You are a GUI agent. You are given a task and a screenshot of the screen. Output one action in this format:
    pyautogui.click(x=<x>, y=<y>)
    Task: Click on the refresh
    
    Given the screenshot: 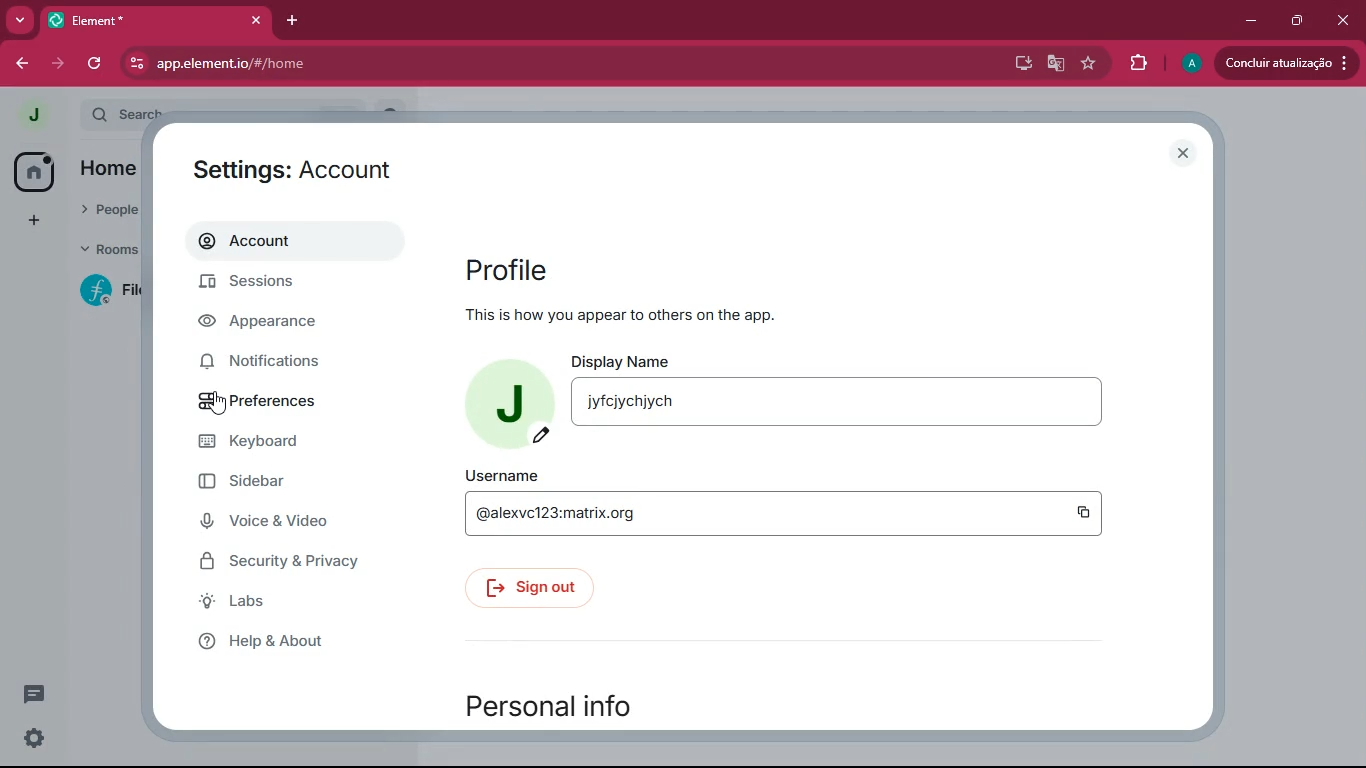 What is the action you would take?
    pyautogui.click(x=94, y=65)
    